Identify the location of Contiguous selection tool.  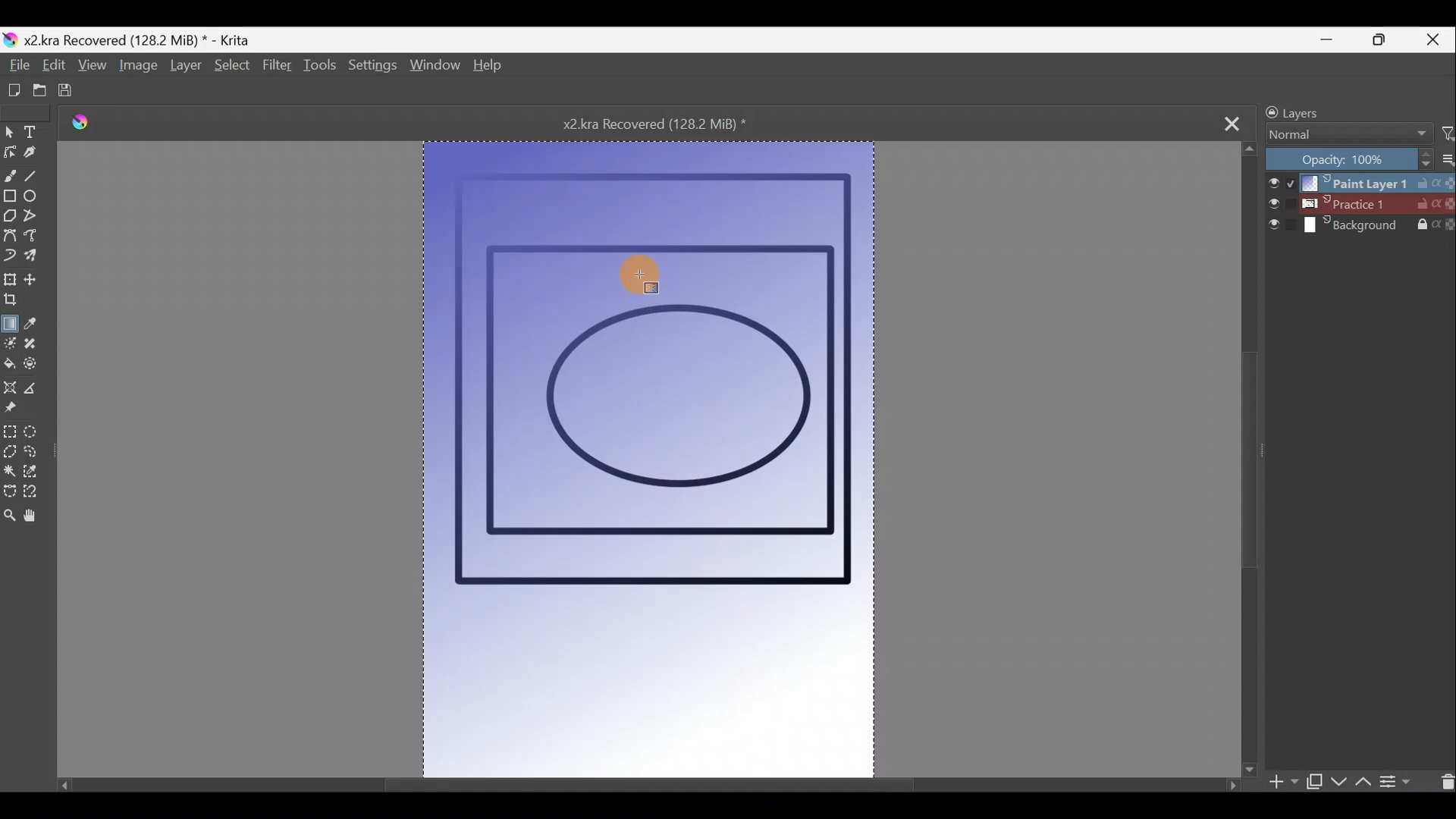
(10, 472).